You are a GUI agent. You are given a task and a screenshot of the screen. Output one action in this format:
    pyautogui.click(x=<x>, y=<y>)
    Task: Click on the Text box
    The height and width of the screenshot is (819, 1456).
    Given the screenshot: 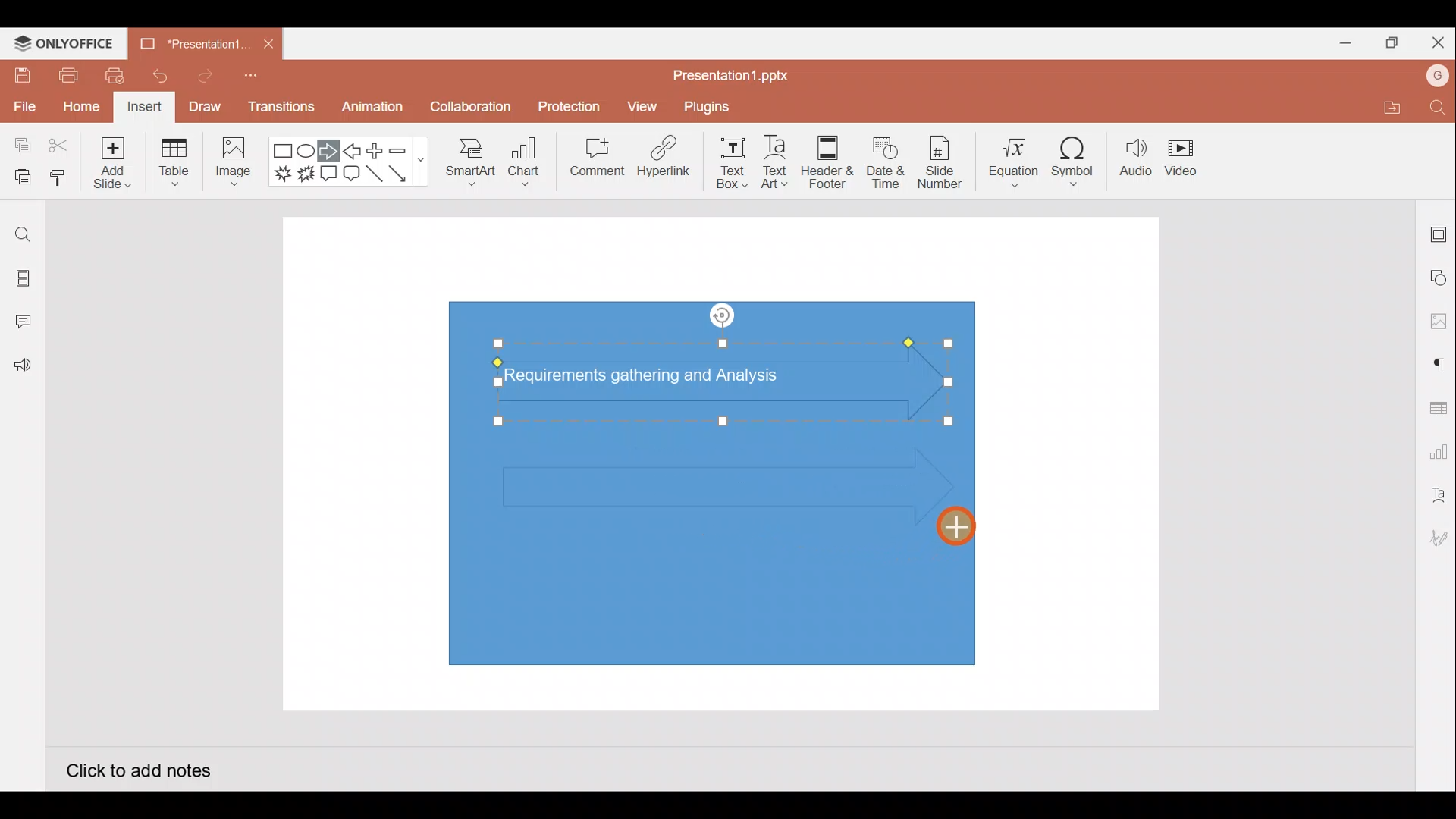 What is the action you would take?
    pyautogui.click(x=733, y=163)
    